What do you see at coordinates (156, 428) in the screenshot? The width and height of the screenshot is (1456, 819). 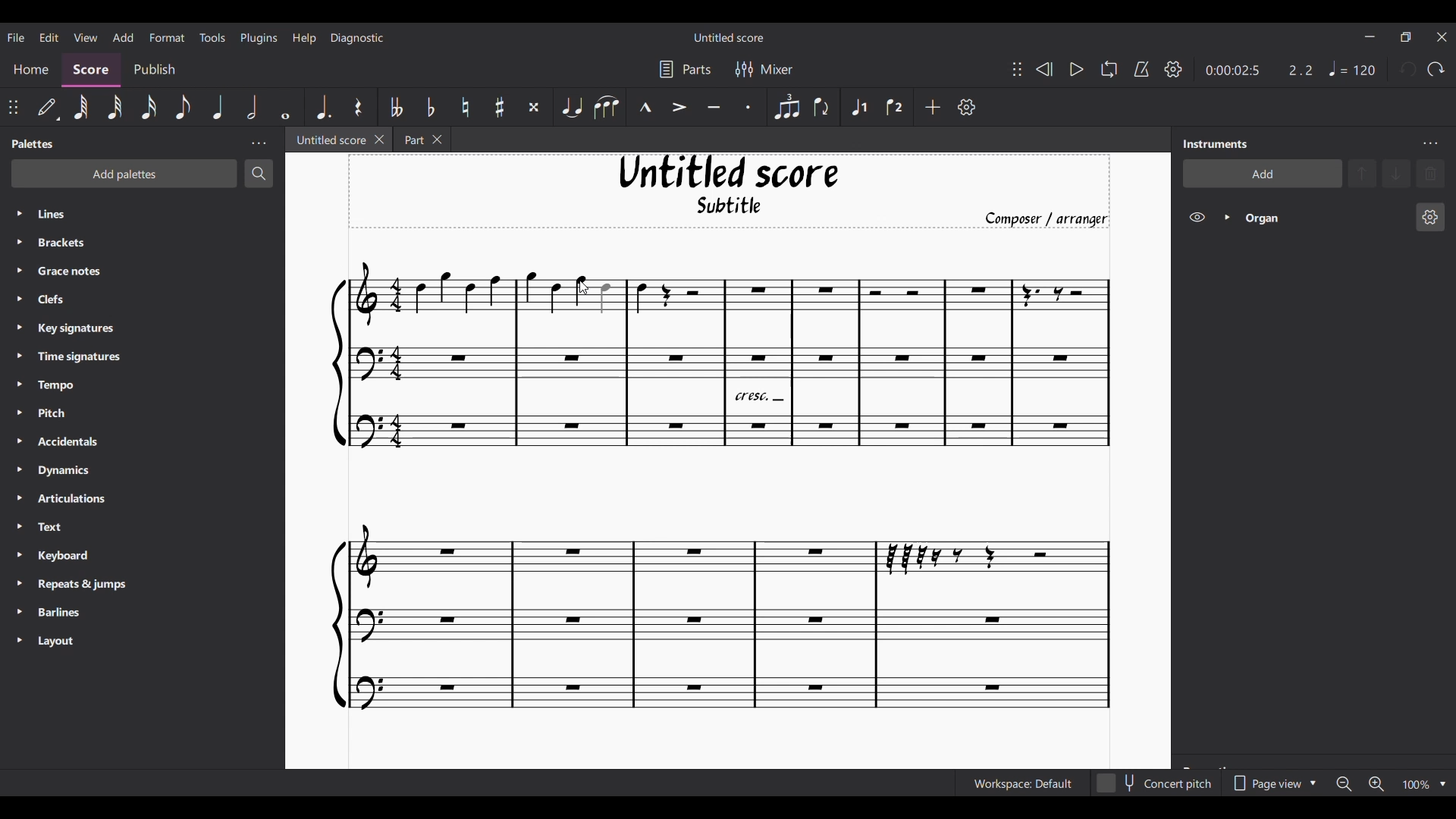 I see `List of Palettes` at bounding box center [156, 428].